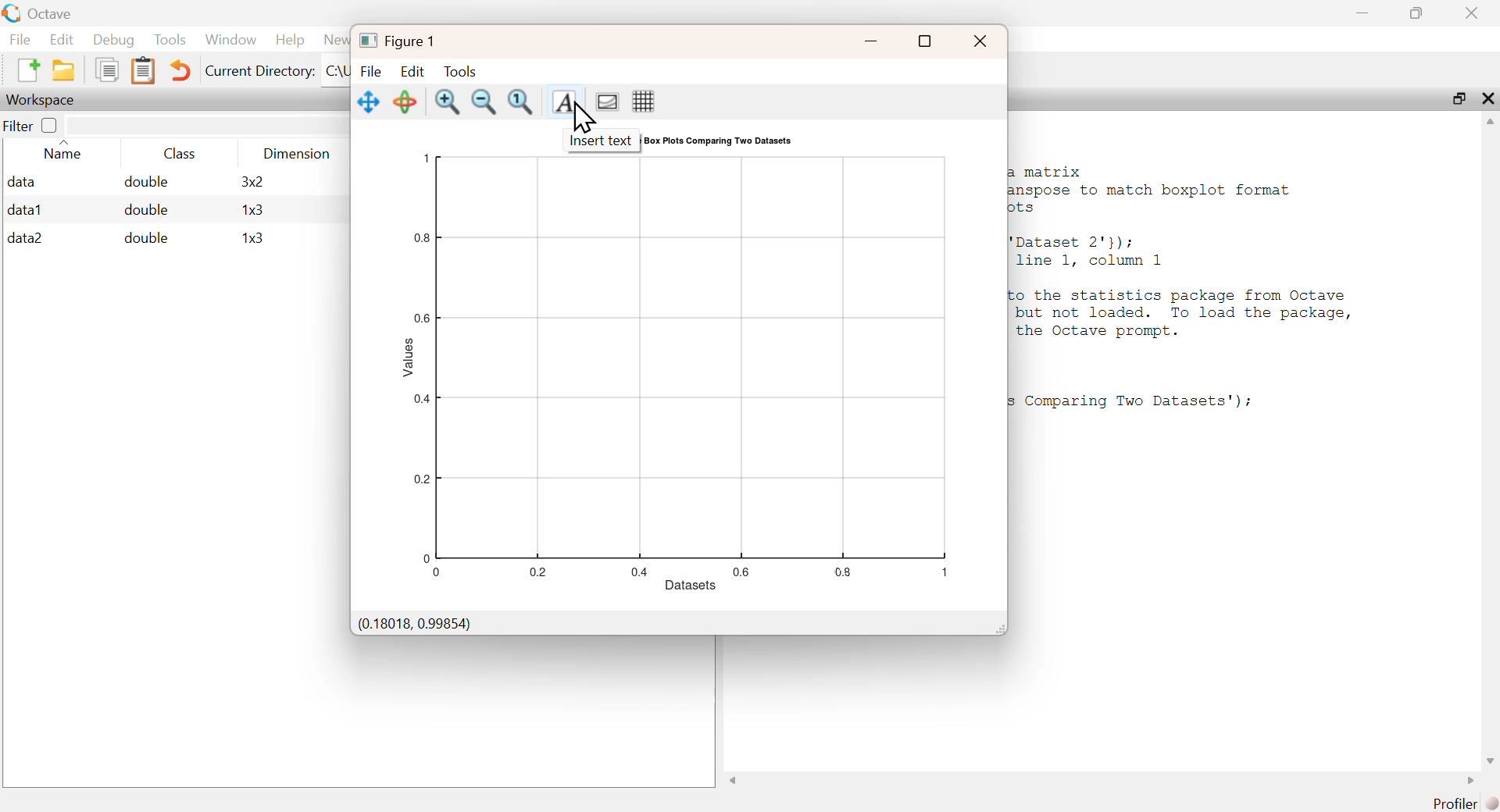 The width and height of the screenshot is (1500, 812). I want to click on Edit, so click(412, 71).